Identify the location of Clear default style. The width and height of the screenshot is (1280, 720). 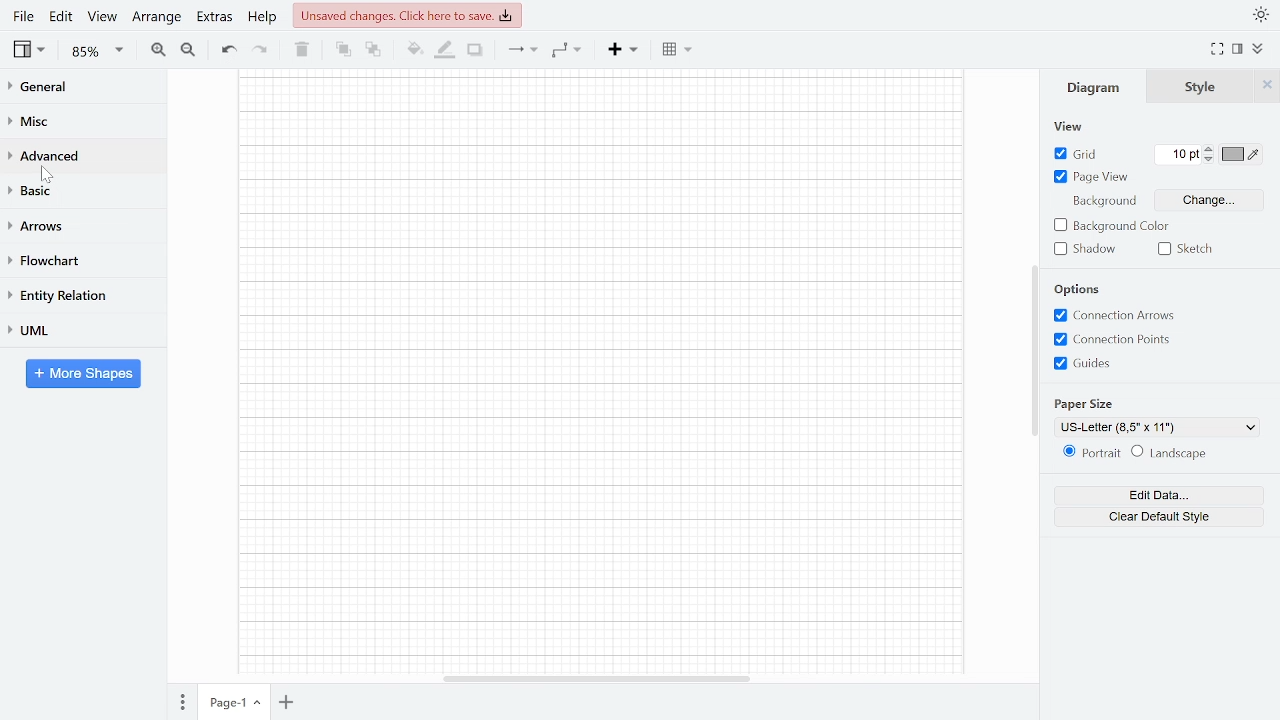
(1163, 517).